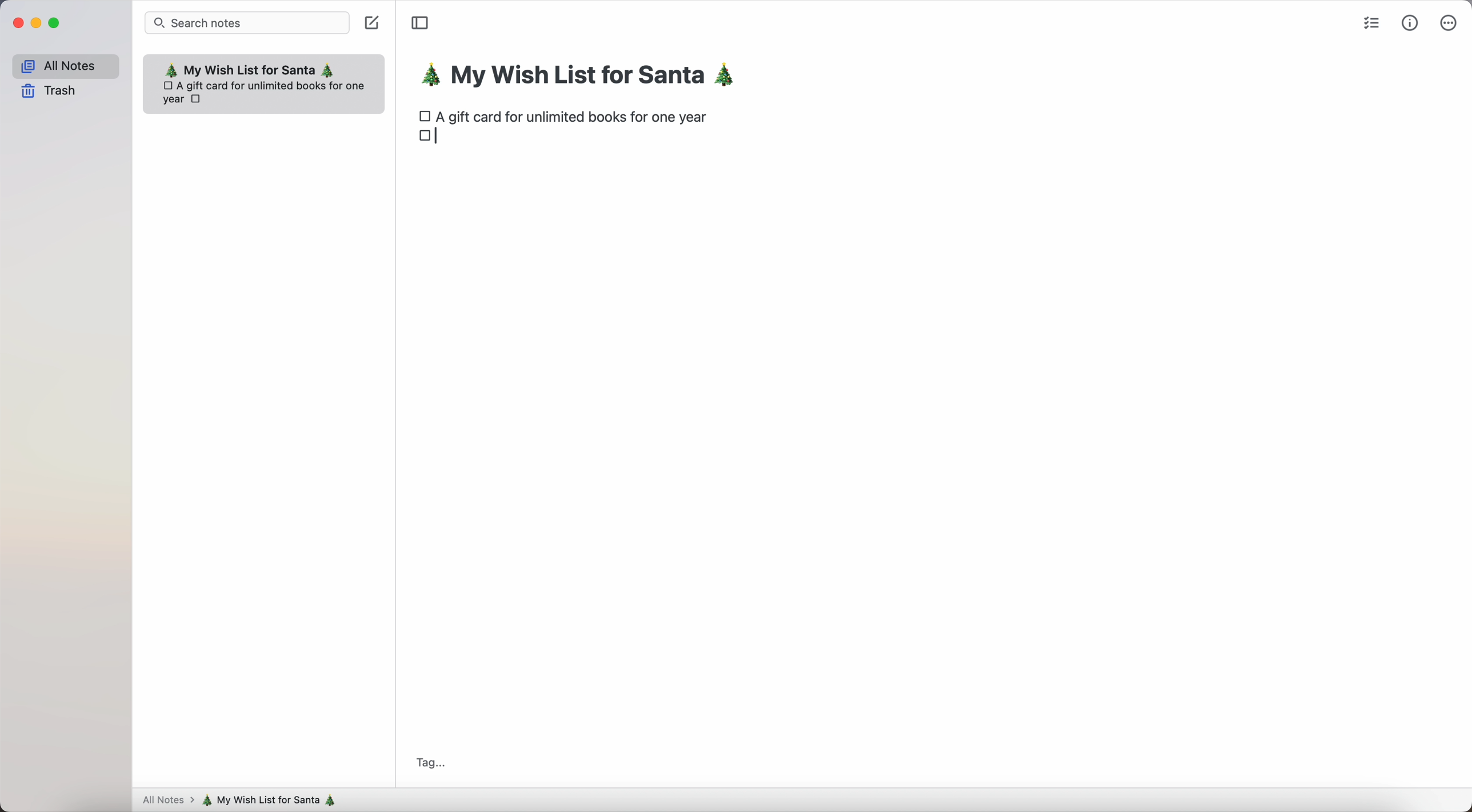  Describe the element at coordinates (65, 64) in the screenshot. I see `all notes` at that location.